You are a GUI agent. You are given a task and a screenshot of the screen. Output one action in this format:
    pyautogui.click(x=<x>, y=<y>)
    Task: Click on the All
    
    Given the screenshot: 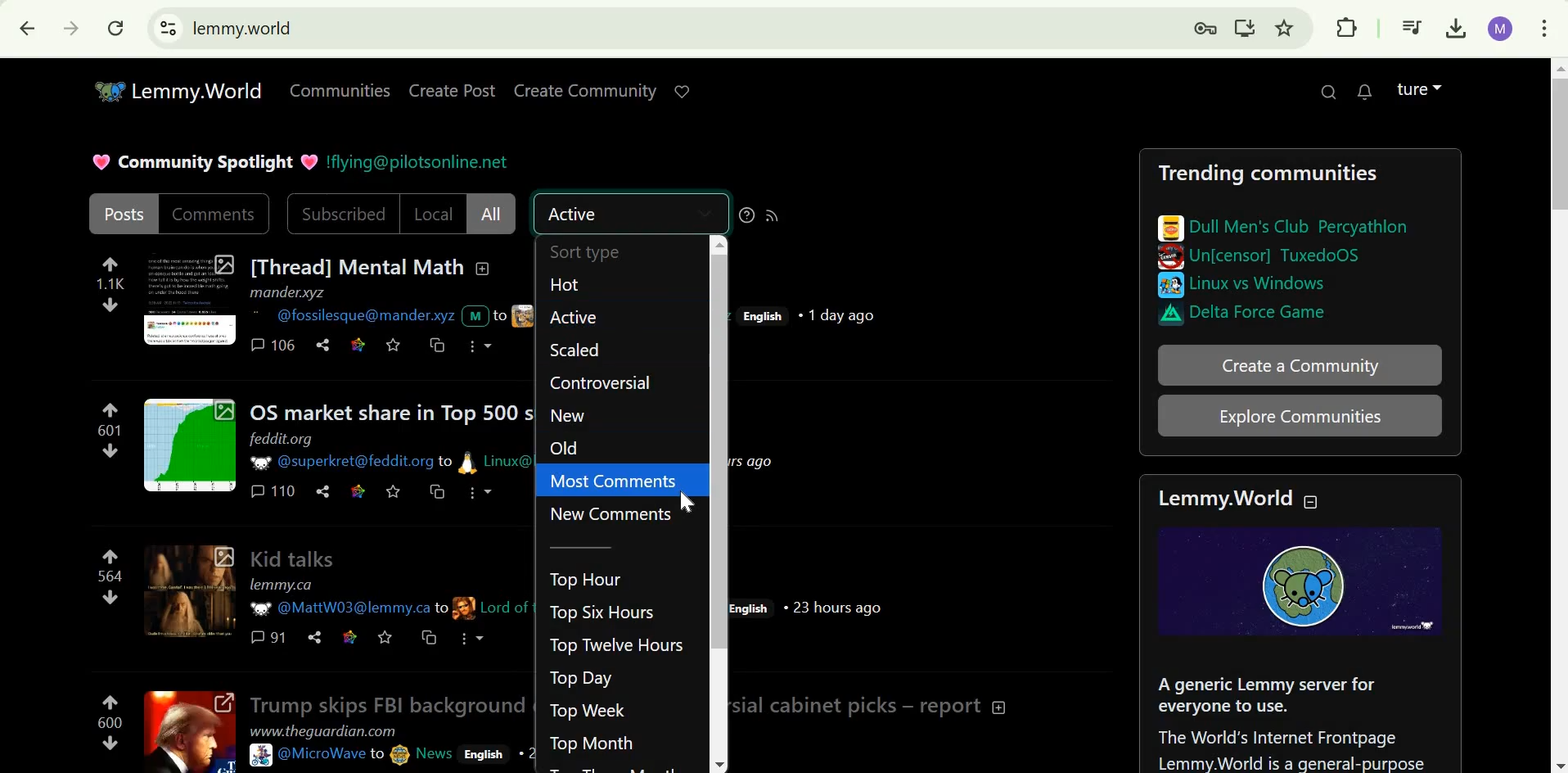 What is the action you would take?
    pyautogui.click(x=491, y=213)
    